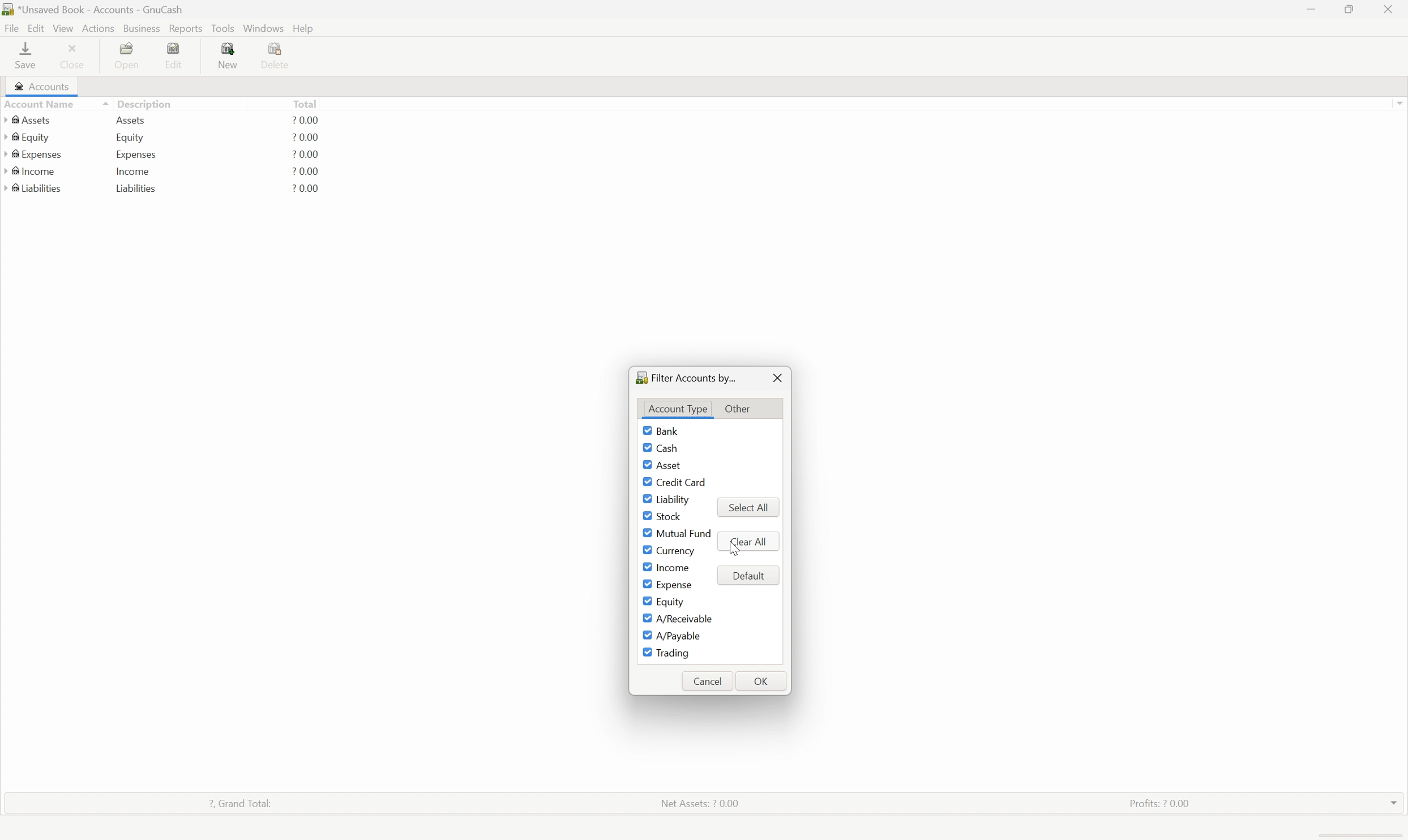  Describe the element at coordinates (674, 585) in the screenshot. I see `Expense` at that location.